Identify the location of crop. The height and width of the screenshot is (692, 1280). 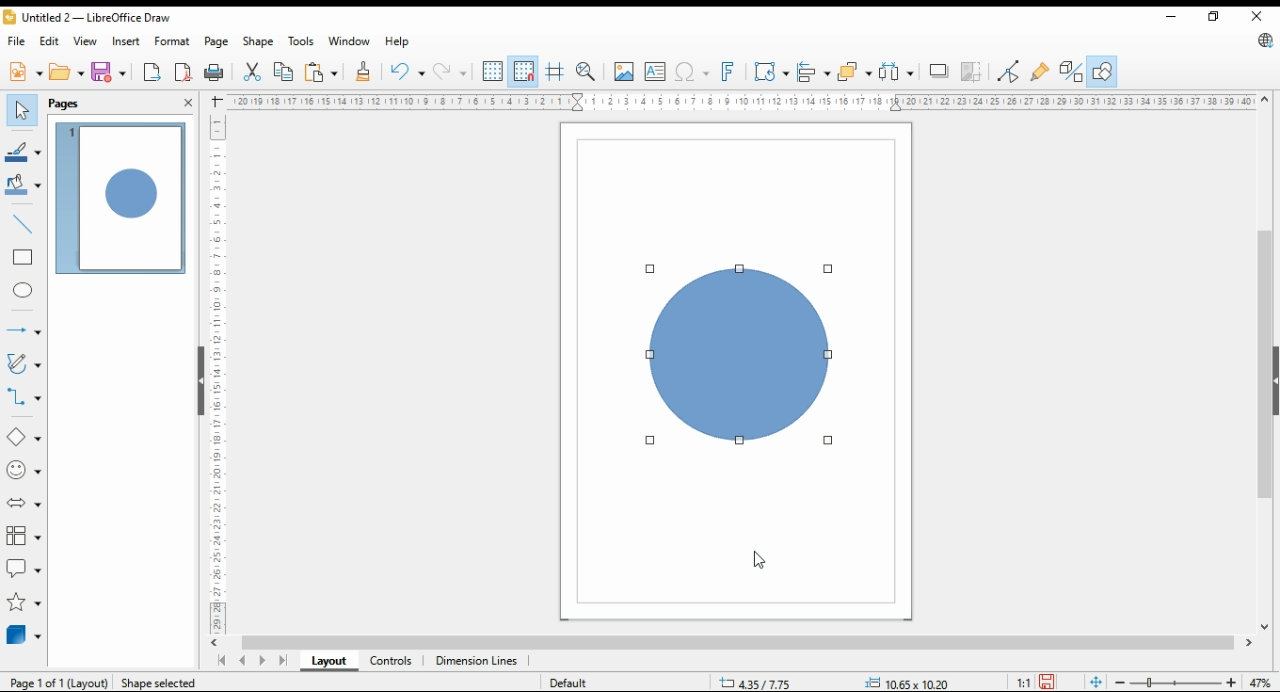
(972, 72).